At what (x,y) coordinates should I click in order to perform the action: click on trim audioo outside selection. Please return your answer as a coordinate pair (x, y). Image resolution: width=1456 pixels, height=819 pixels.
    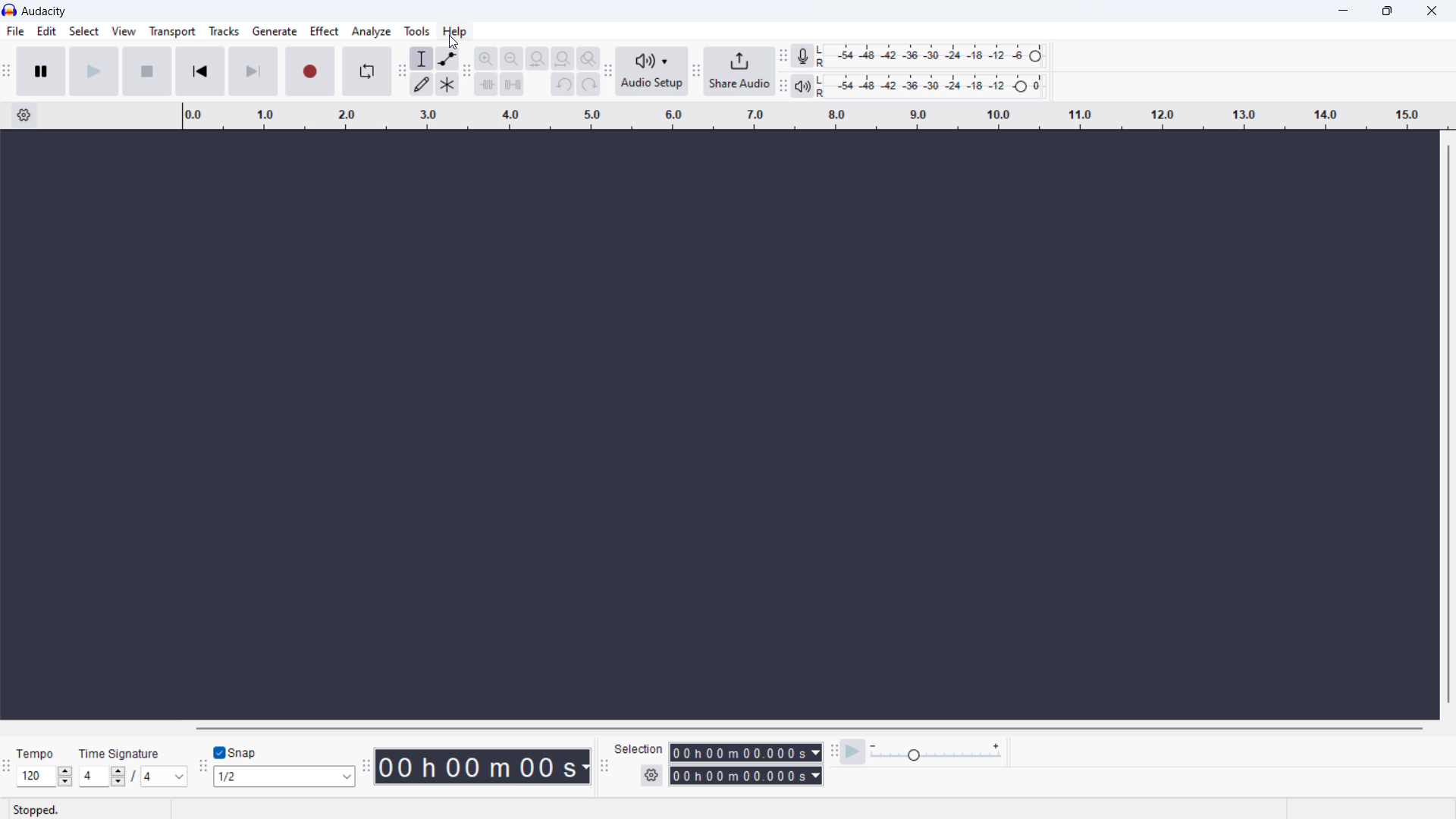
    Looking at the image, I should click on (486, 85).